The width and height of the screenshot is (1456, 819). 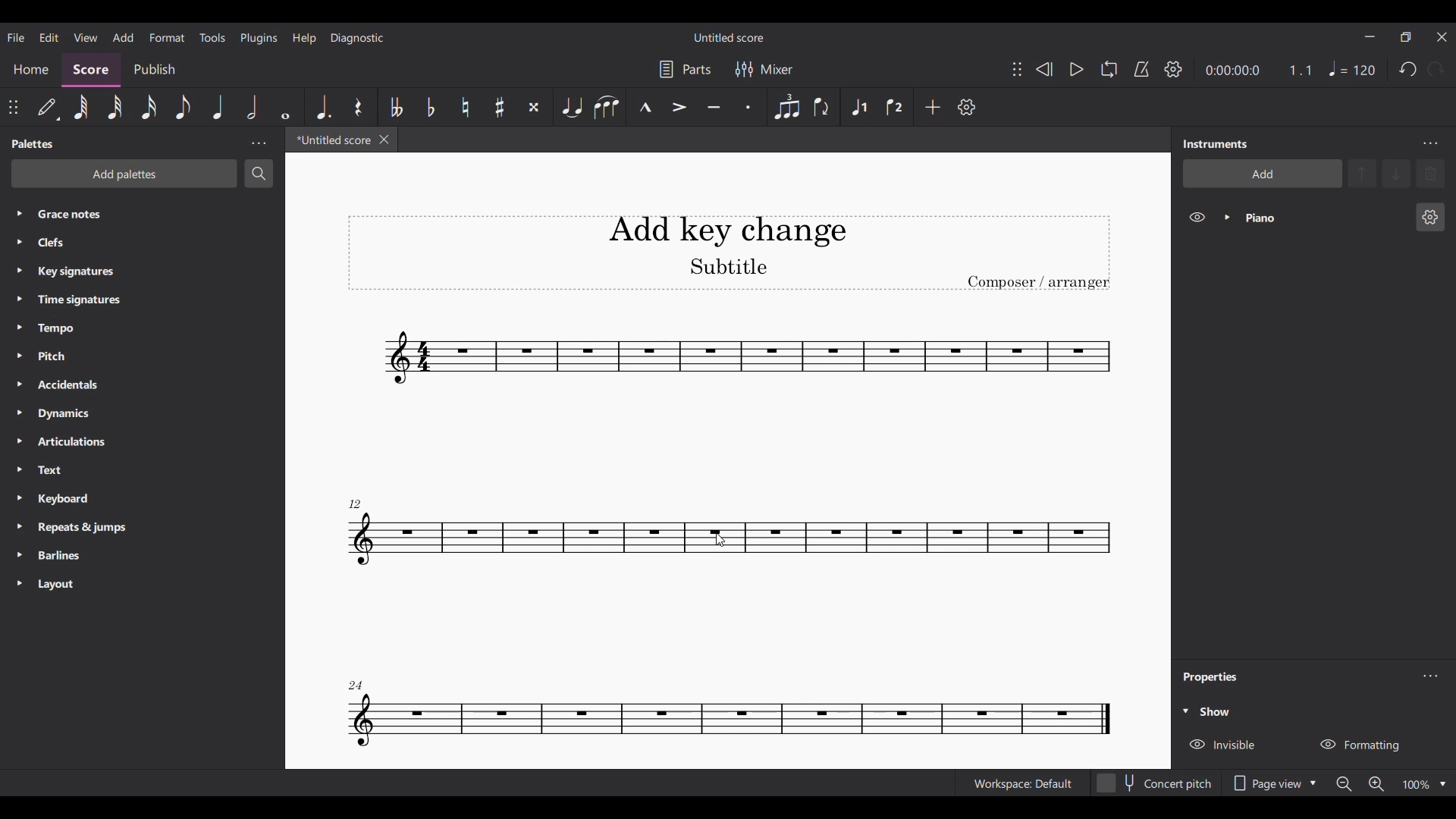 What do you see at coordinates (1216, 143) in the screenshot?
I see `Title of right panel` at bounding box center [1216, 143].